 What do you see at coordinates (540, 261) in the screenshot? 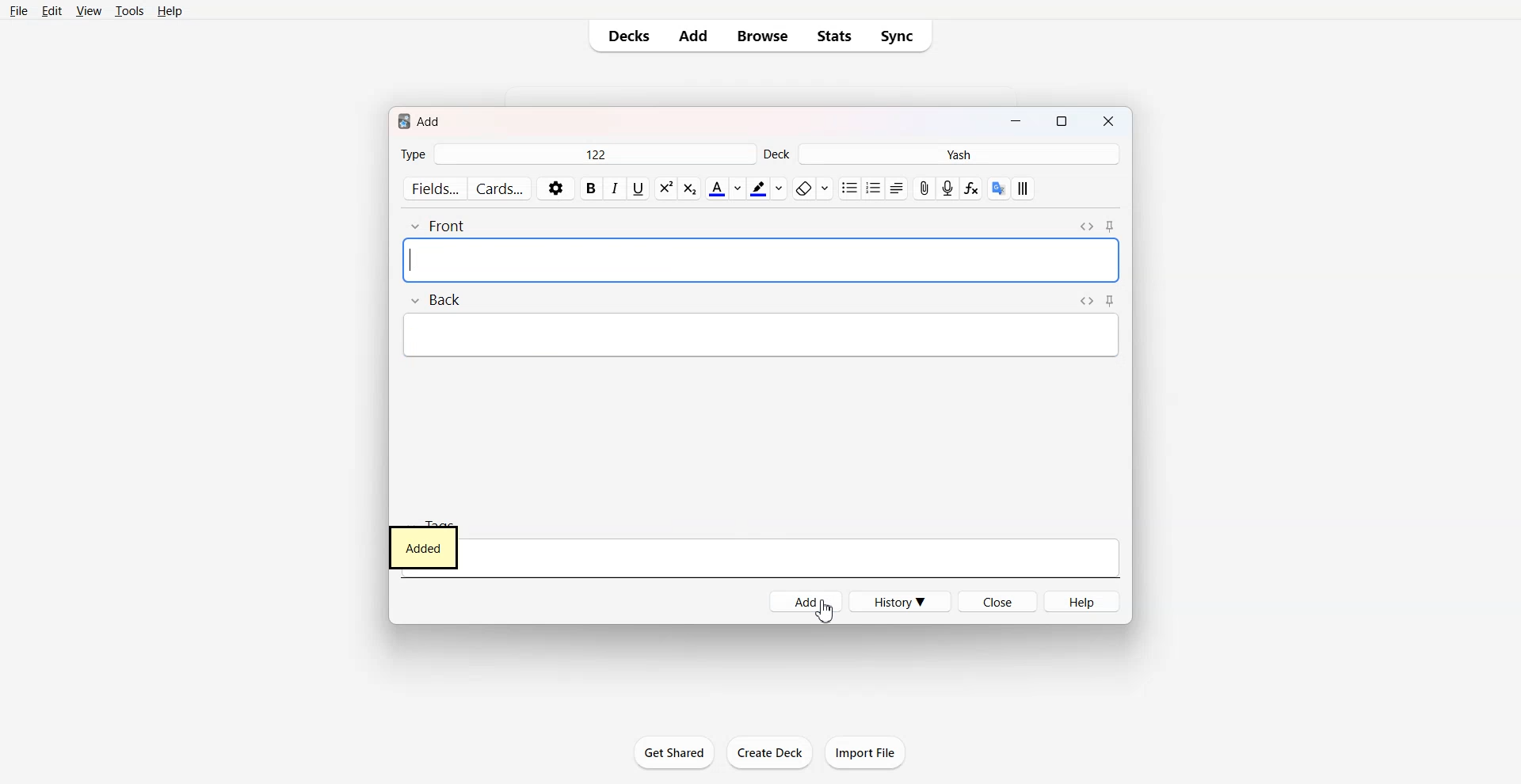
I see `Text` at bounding box center [540, 261].